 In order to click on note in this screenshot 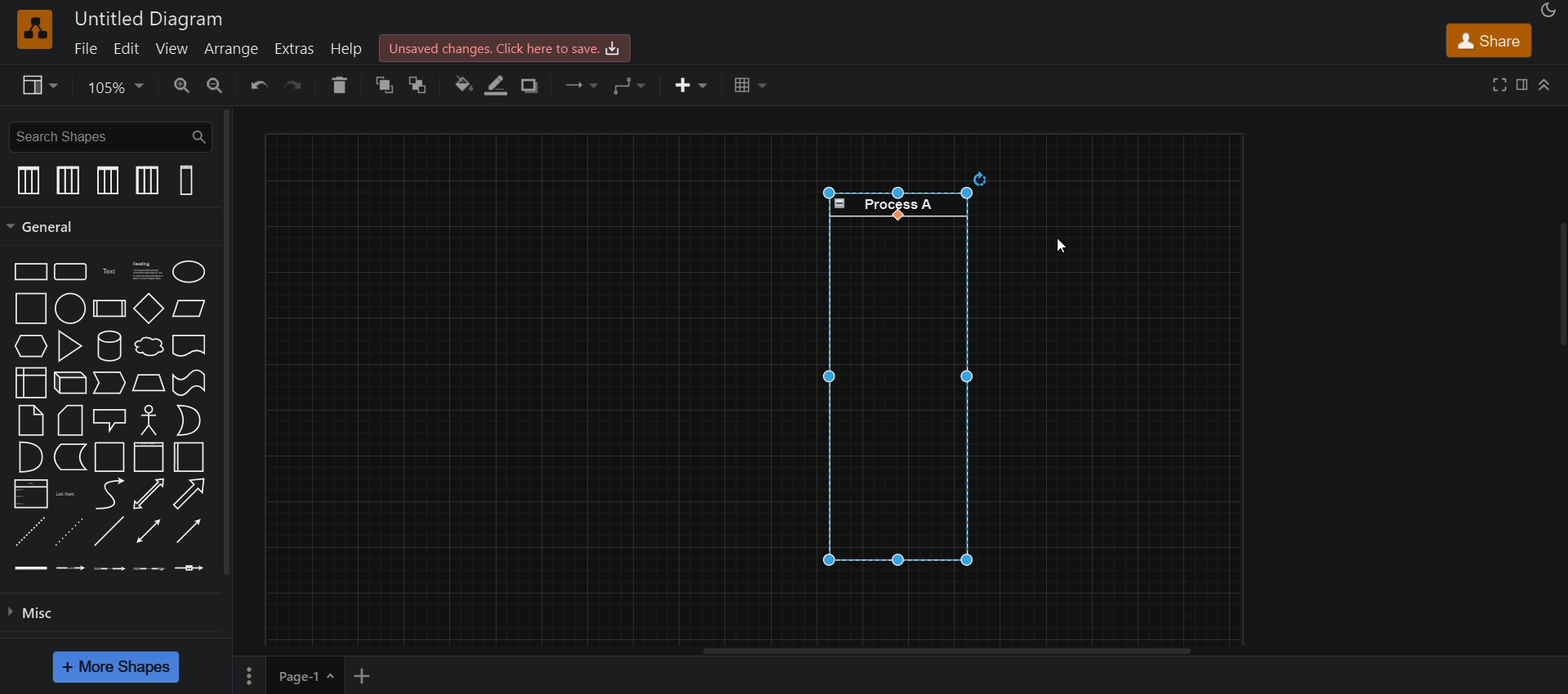, I will do `click(32, 421)`.